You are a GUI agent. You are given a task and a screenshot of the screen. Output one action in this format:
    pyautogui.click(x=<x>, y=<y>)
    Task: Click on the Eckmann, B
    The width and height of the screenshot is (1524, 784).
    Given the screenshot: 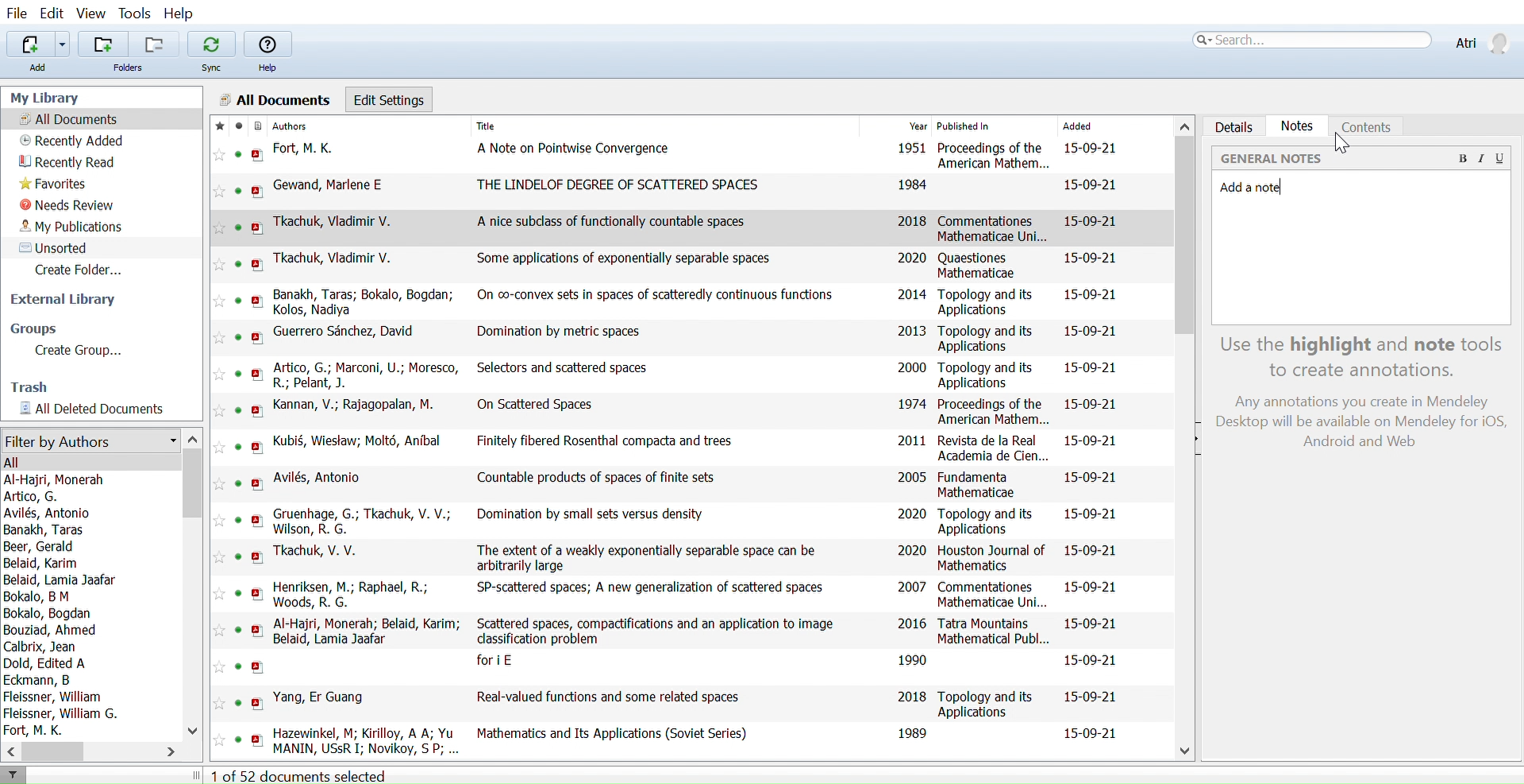 What is the action you would take?
    pyautogui.click(x=38, y=680)
    